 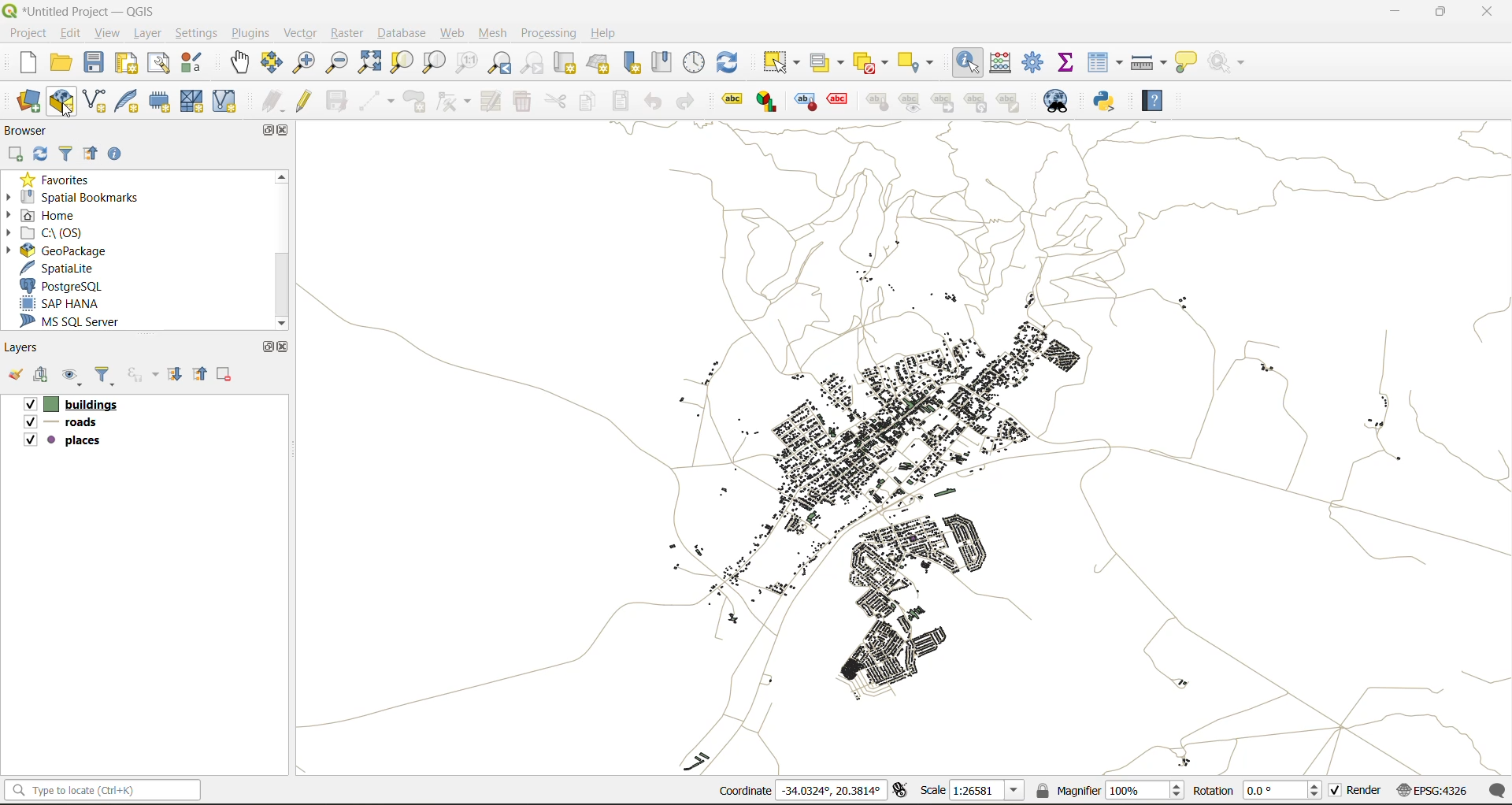 What do you see at coordinates (305, 101) in the screenshot?
I see `toggle edits` at bounding box center [305, 101].